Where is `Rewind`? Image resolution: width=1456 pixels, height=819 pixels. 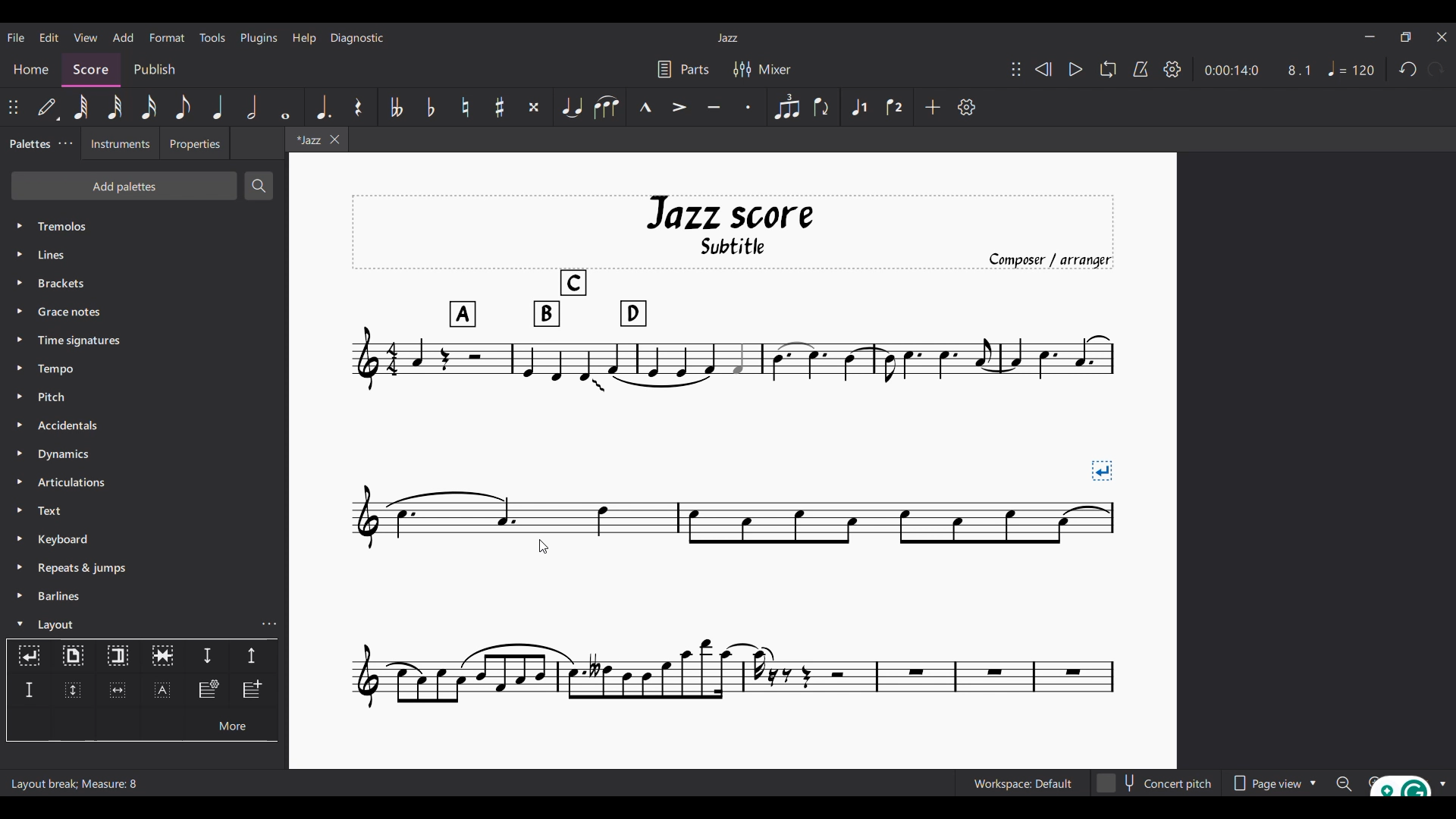
Rewind is located at coordinates (1043, 69).